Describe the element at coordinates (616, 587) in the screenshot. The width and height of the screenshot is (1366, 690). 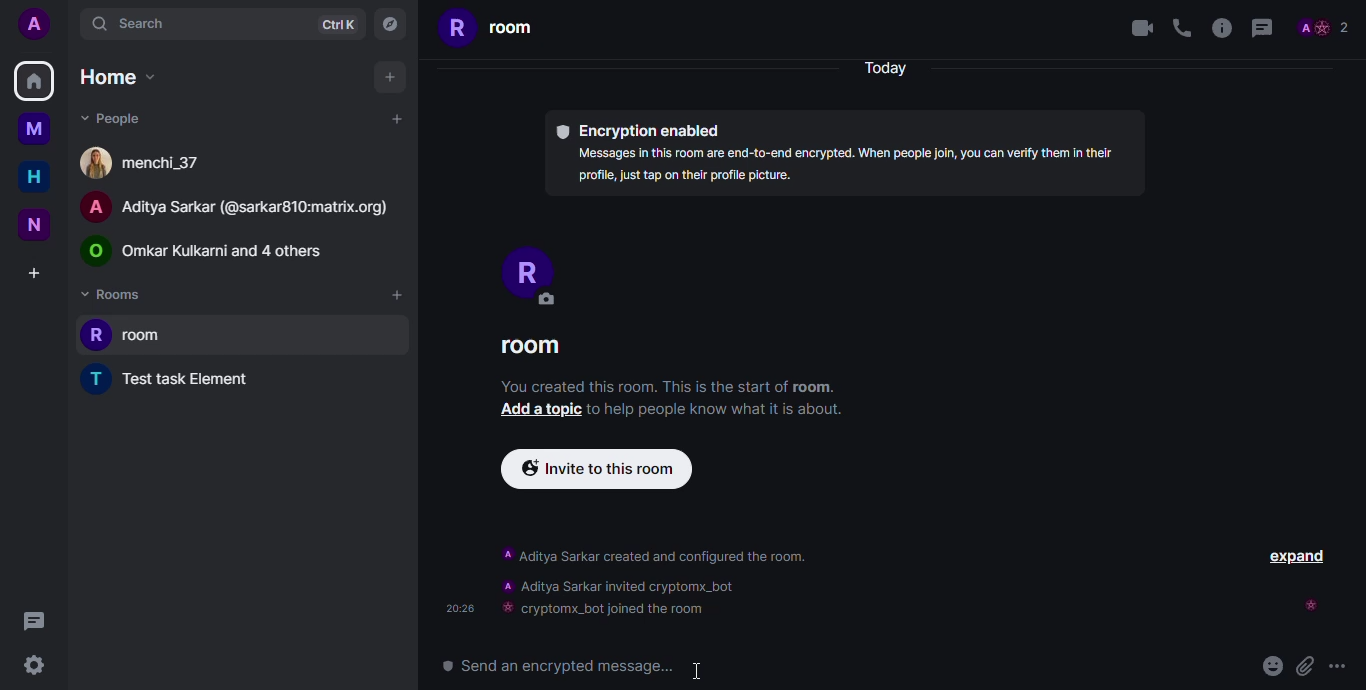
I see `Aditya Sarkar invited cryptomx_bot` at that location.